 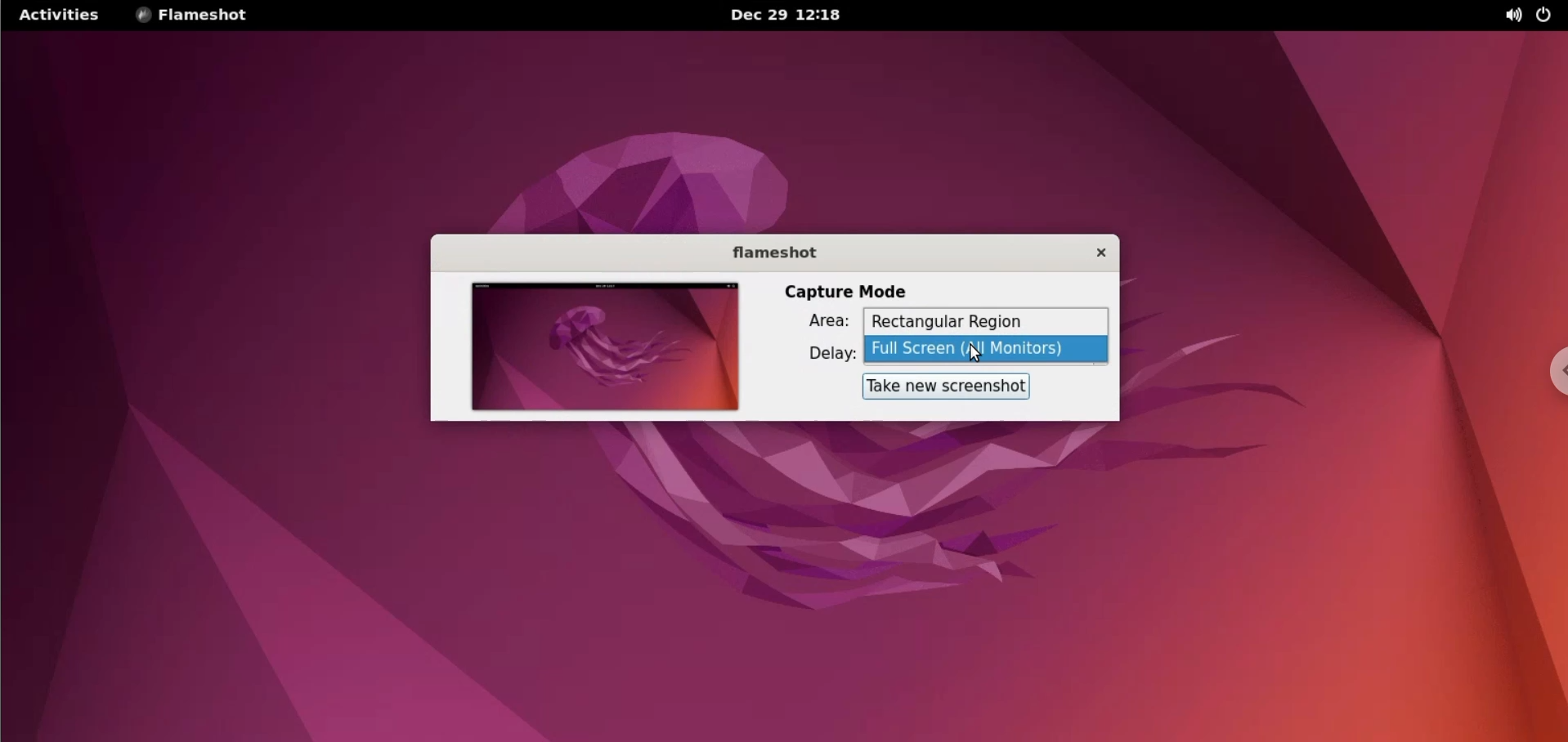 What do you see at coordinates (1551, 16) in the screenshot?
I see `power options` at bounding box center [1551, 16].